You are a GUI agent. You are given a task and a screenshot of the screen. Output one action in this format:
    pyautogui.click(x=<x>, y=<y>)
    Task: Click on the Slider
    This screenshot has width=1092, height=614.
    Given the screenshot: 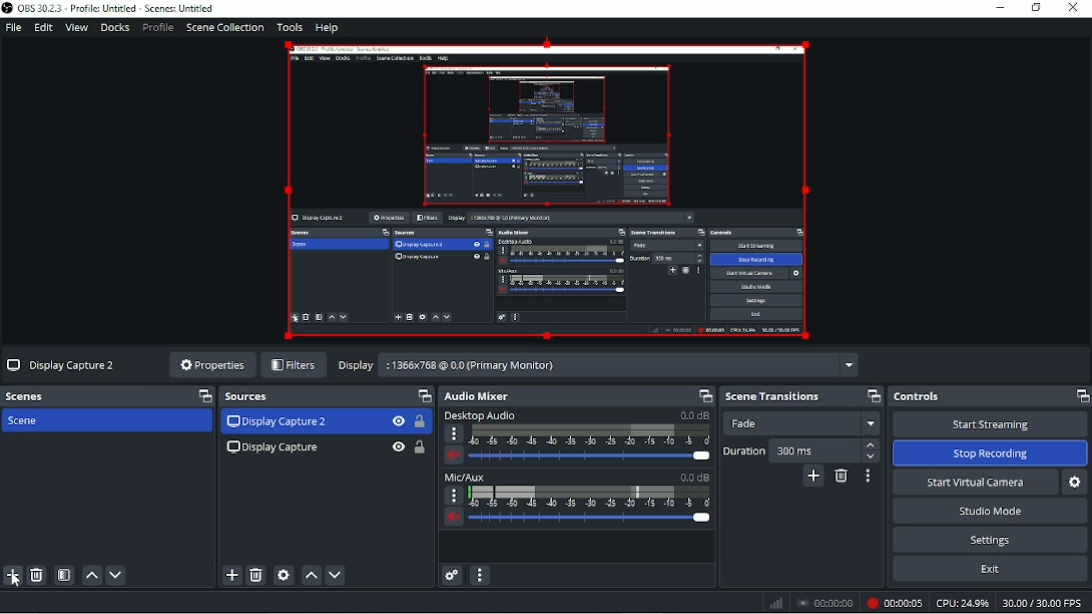 What is the action you would take?
    pyautogui.click(x=591, y=455)
    